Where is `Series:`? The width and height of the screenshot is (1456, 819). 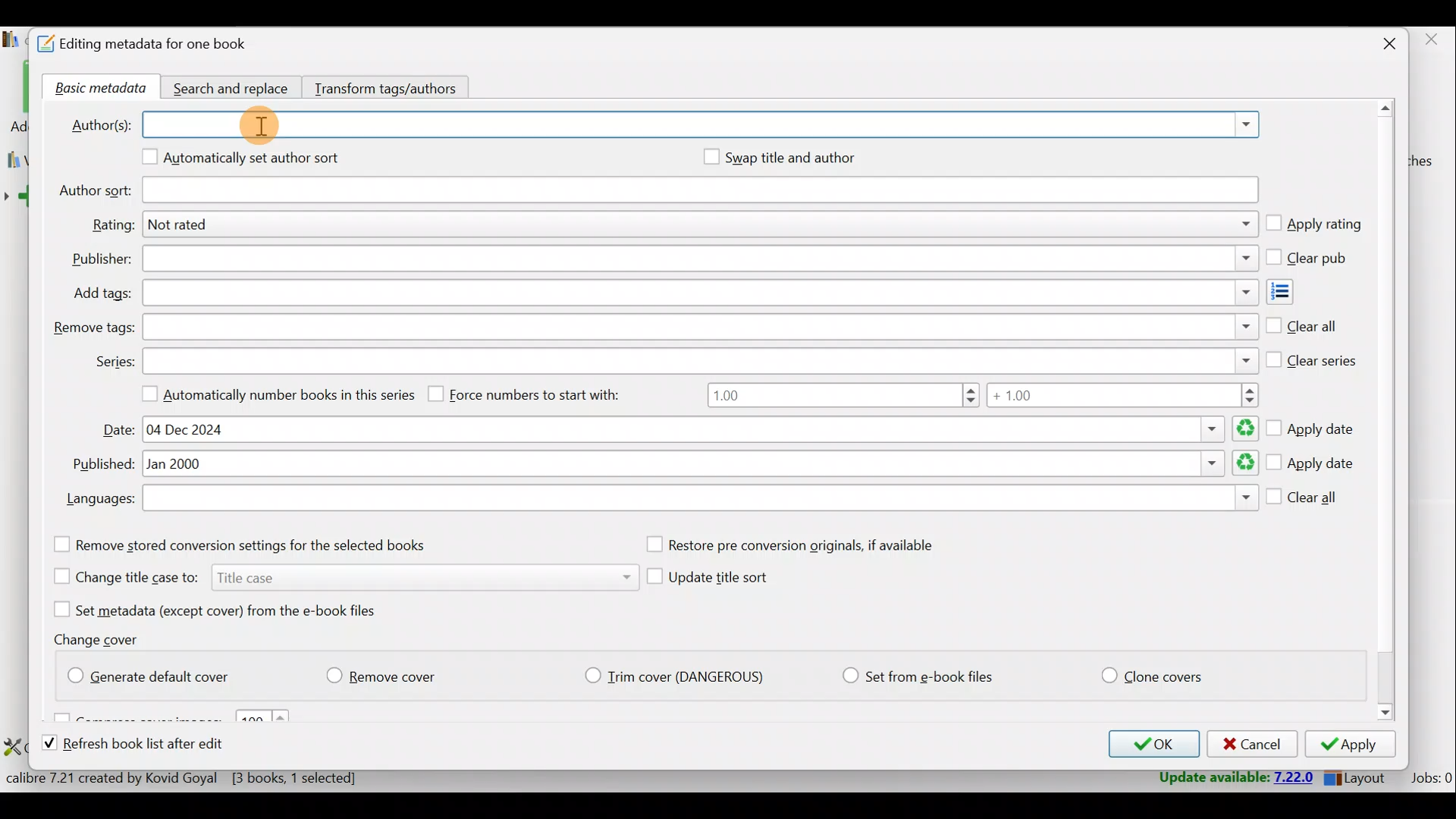
Series: is located at coordinates (114, 362).